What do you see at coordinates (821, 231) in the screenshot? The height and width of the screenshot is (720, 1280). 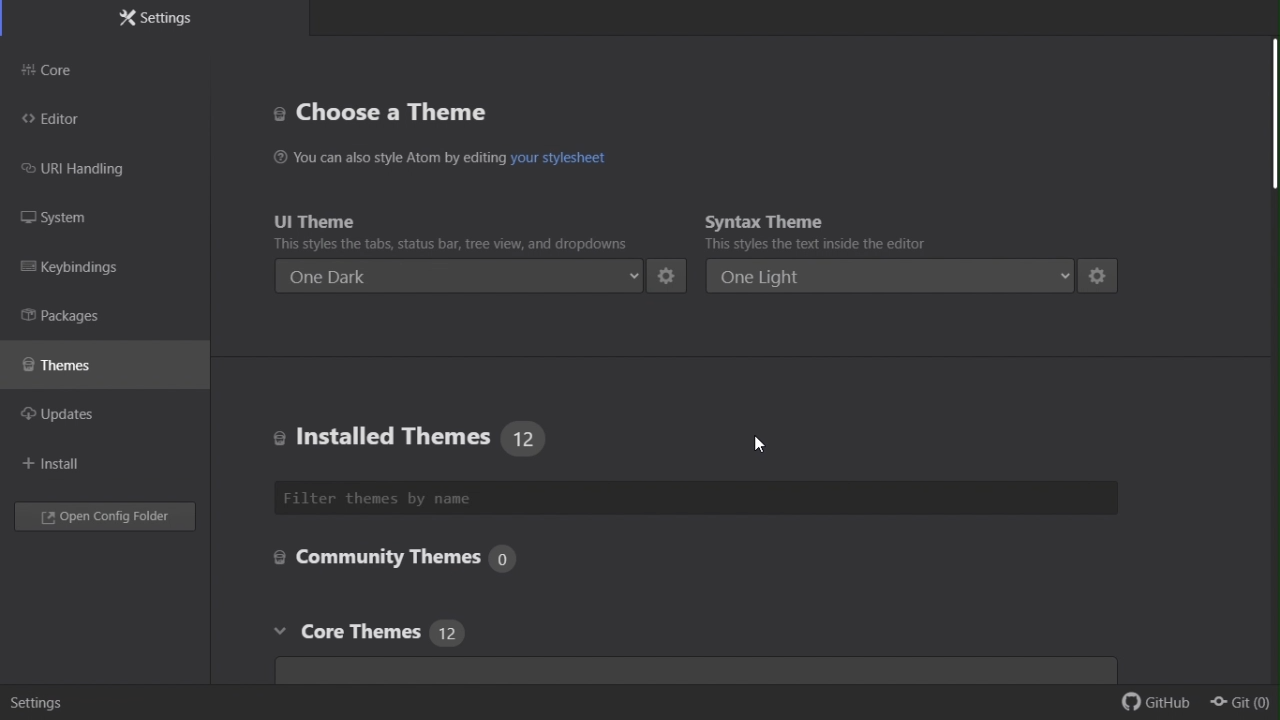 I see `Syntax theme` at bounding box center [821, 231].